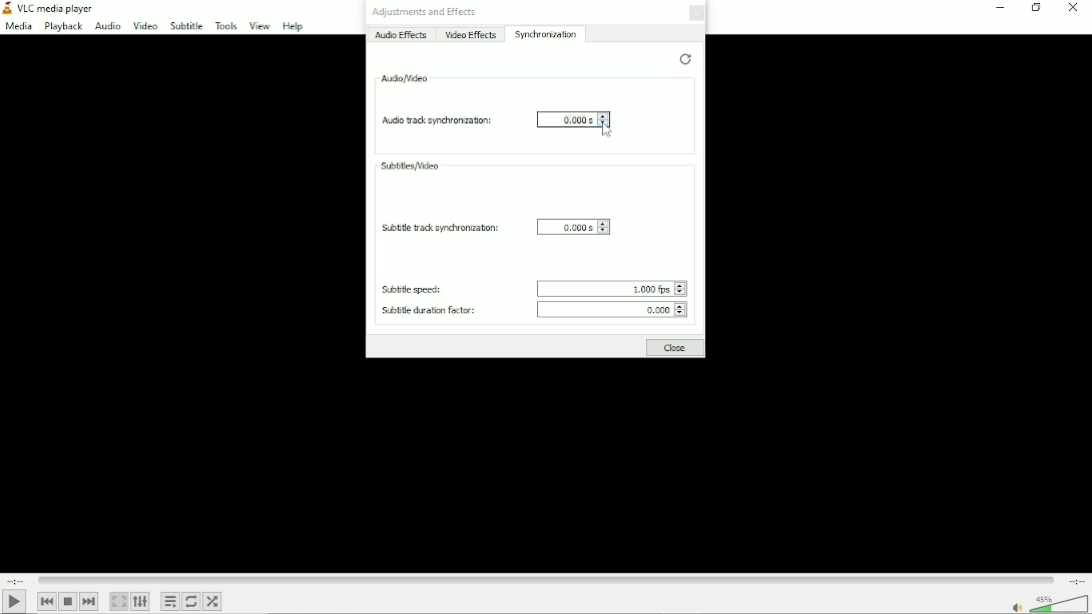 Image resolution: width=1092 pixels, height=614 pixels. Describe the element at coordinates (119, 601) in the screenshot. I see `Toggle video in fullscreen` at that location.